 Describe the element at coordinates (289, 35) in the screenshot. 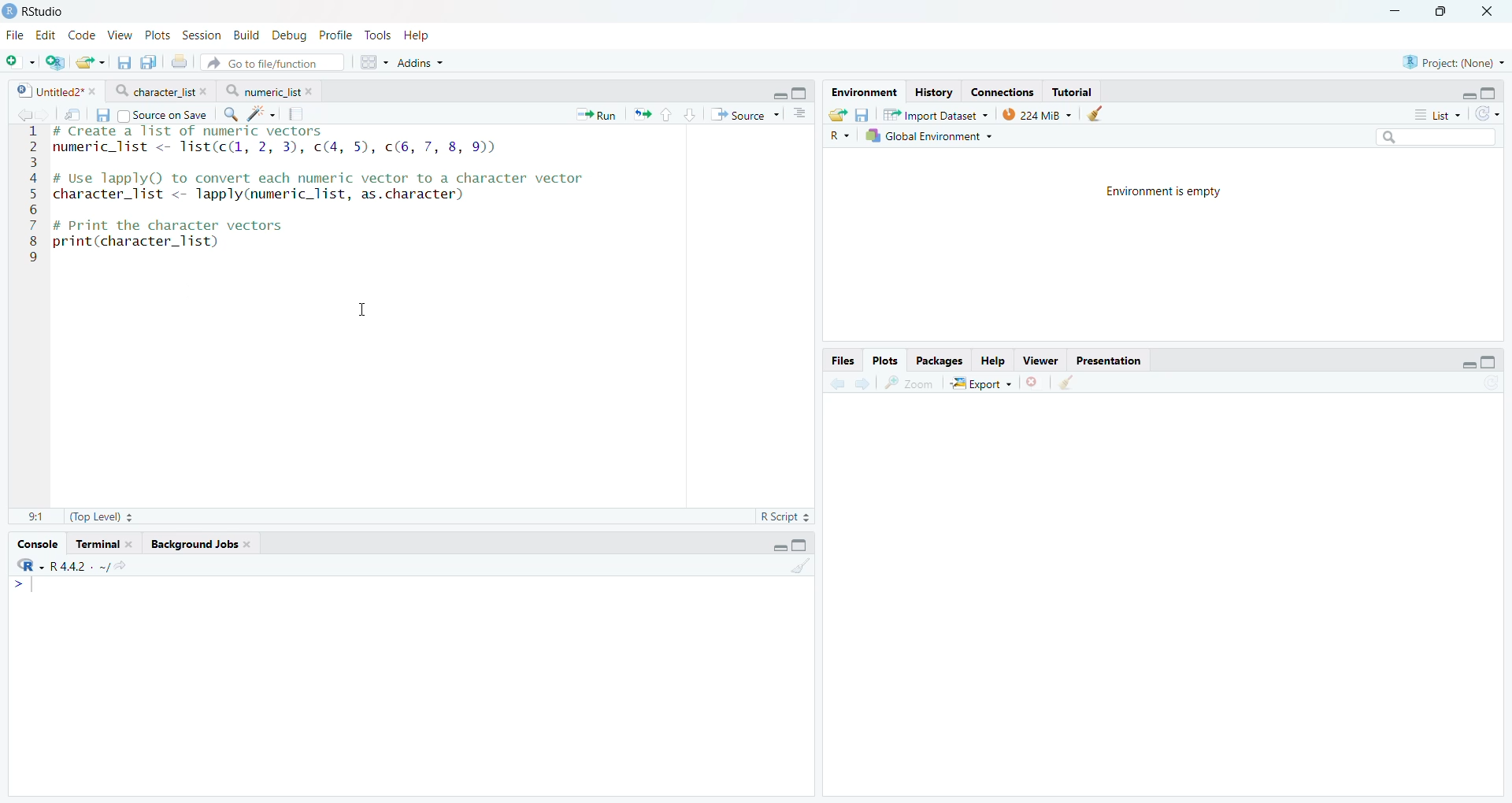

I see `Debug` at that location.